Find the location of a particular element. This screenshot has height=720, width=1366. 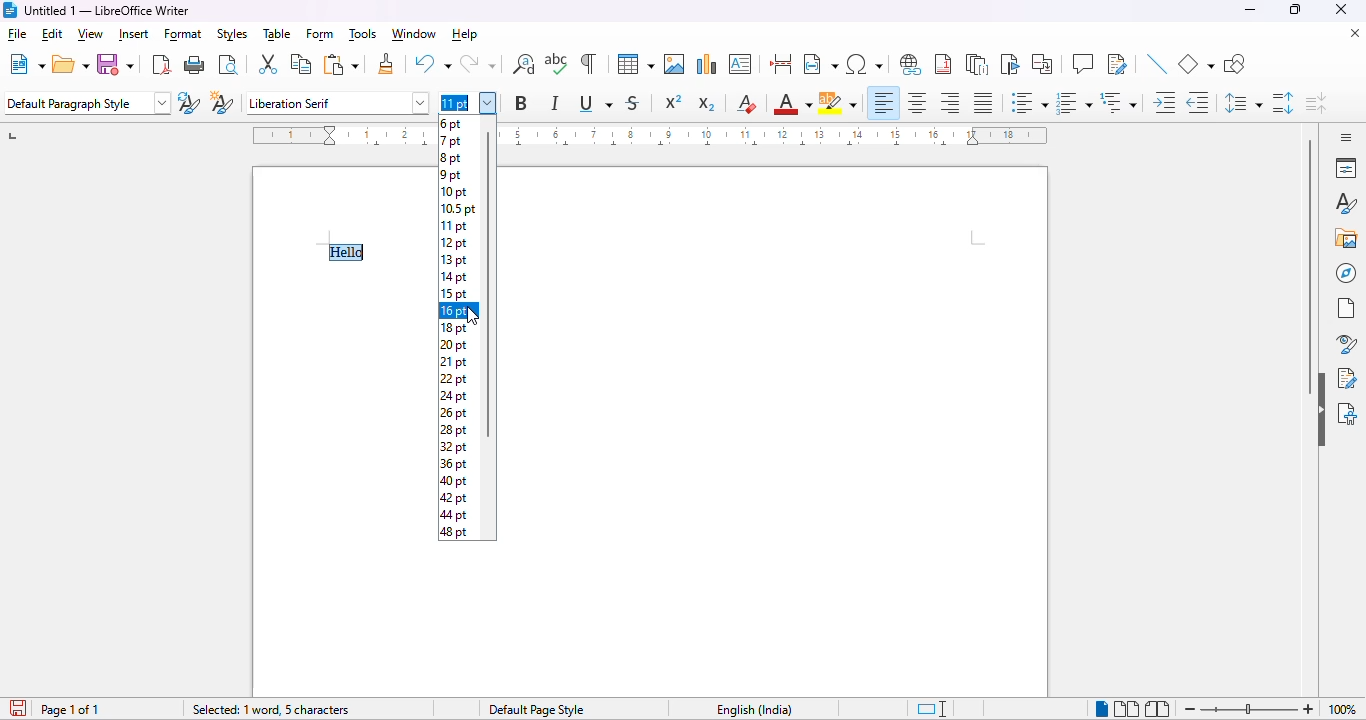

standard selection is located at coordinates (932, 709).